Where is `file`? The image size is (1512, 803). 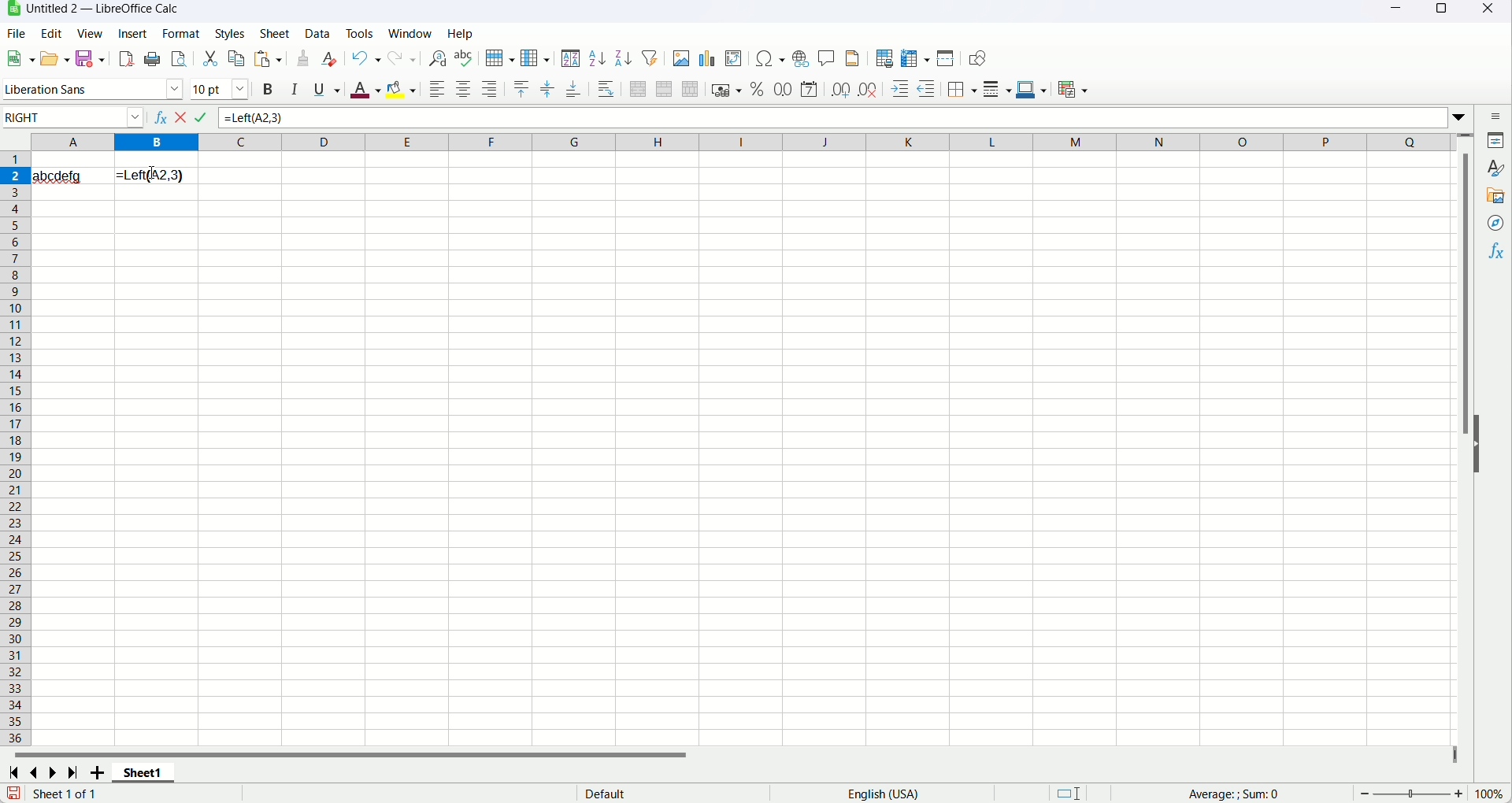
file is located at coordinates (15, 34).